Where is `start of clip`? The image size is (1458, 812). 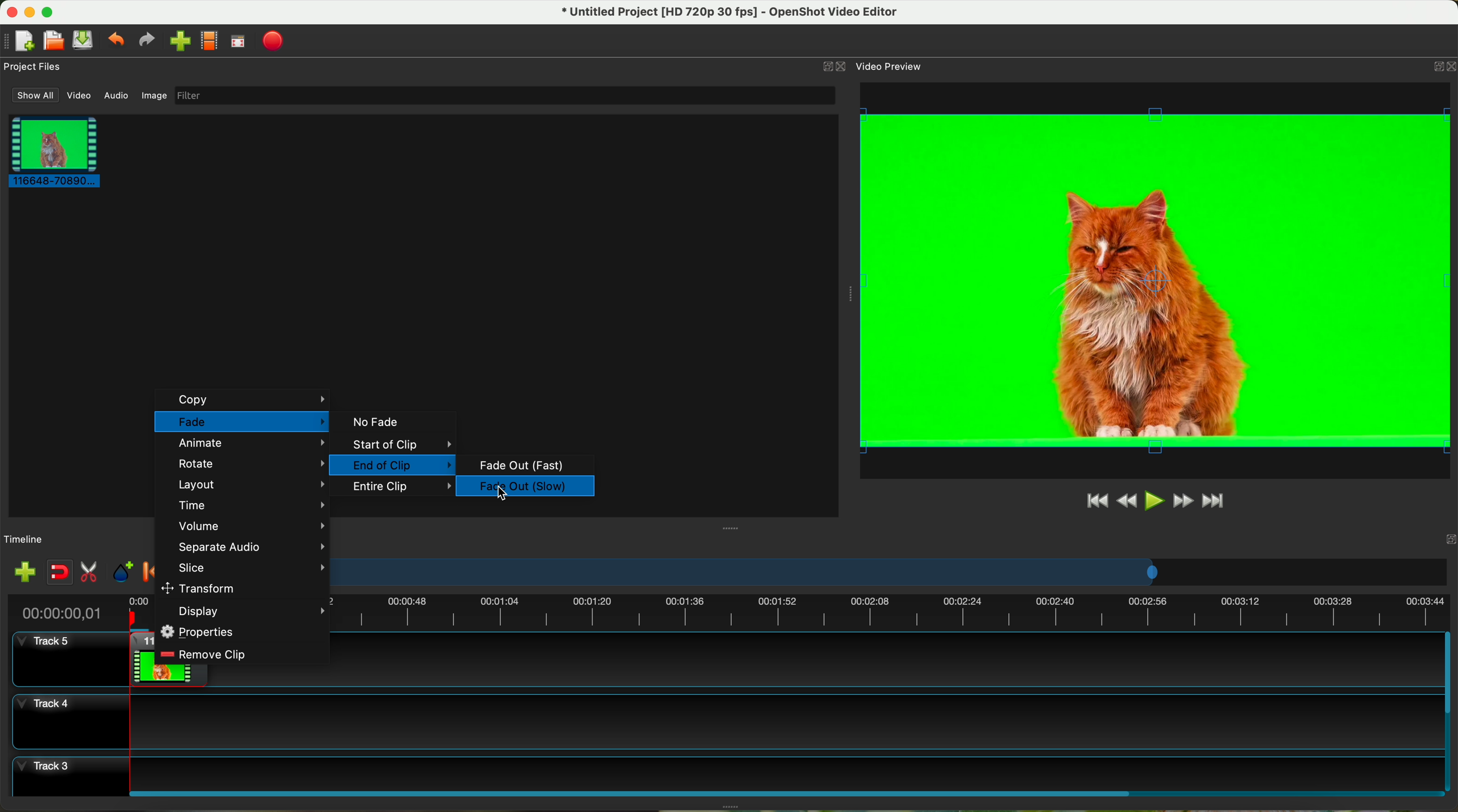 start of clip is located at coordinates (395, 445).